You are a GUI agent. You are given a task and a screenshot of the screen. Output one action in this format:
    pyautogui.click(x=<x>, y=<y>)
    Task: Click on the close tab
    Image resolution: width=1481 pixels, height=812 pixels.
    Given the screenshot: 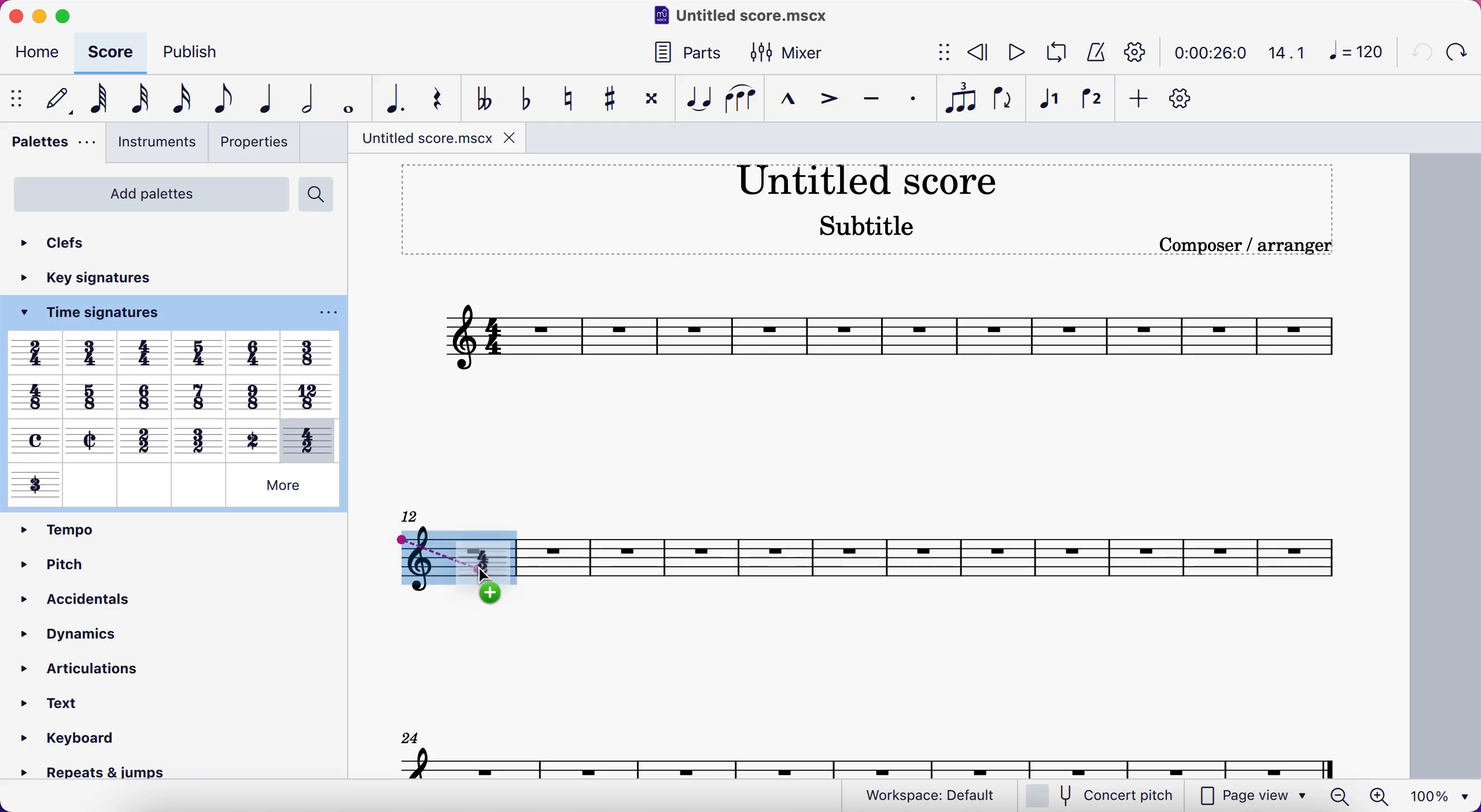 What is the action you would take?
    pyautogui.click(x=513, y=138)
    